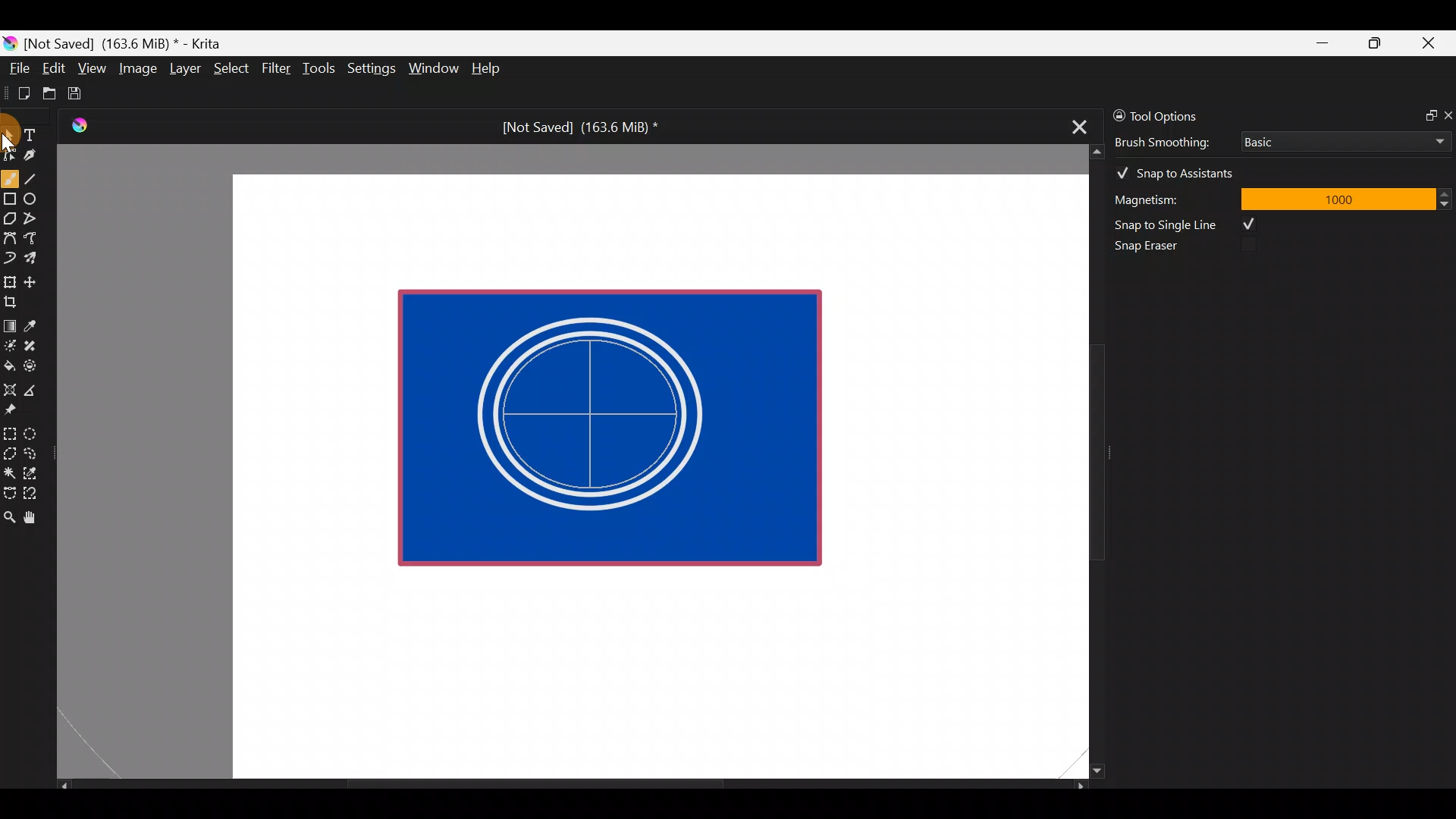  Describe the element at coordinates (35, 494) in the screenshot. I see `Magnetic curve selection tool` at that location.